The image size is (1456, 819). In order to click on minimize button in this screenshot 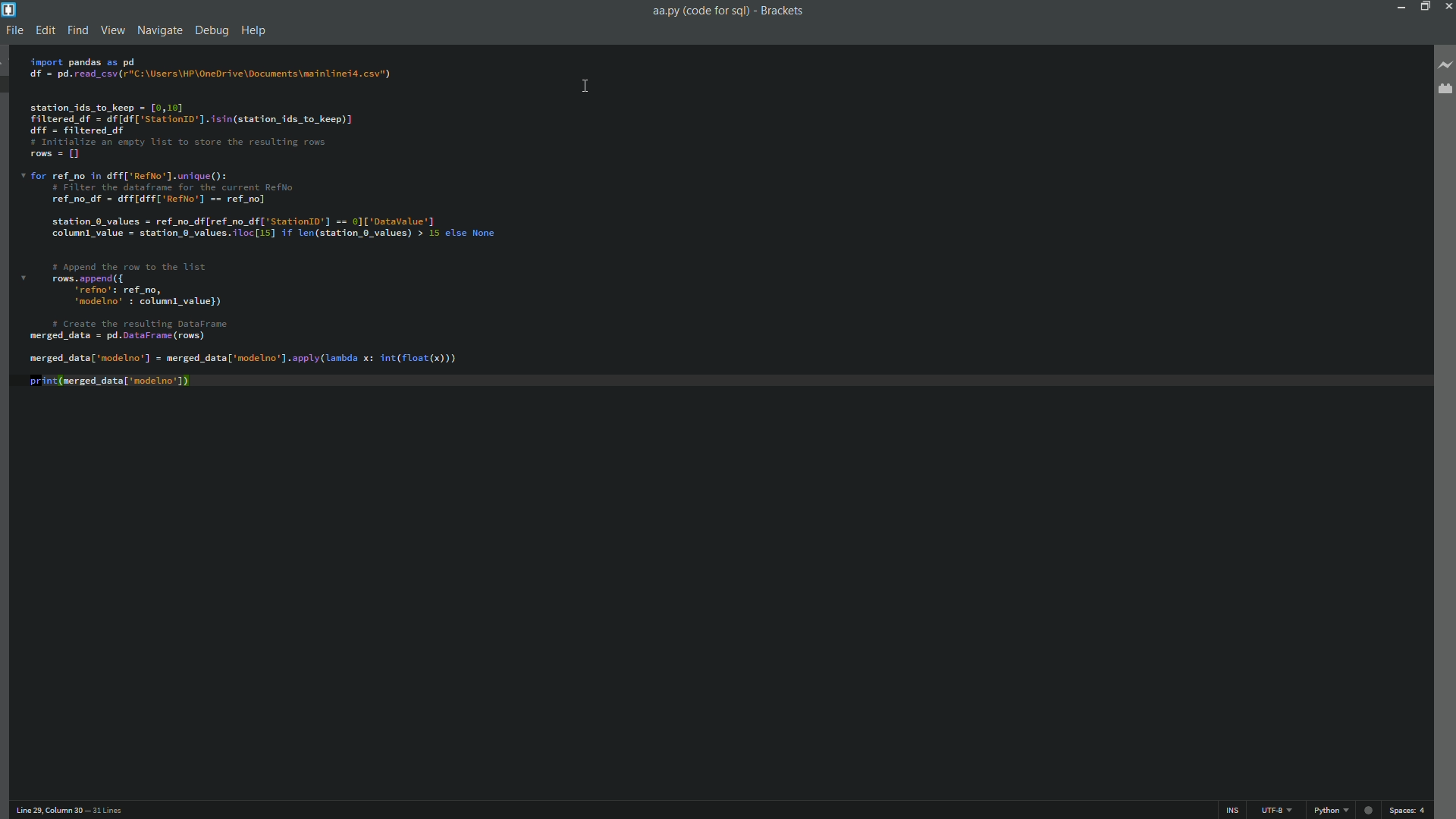, I will do `click(1402, 8)`.